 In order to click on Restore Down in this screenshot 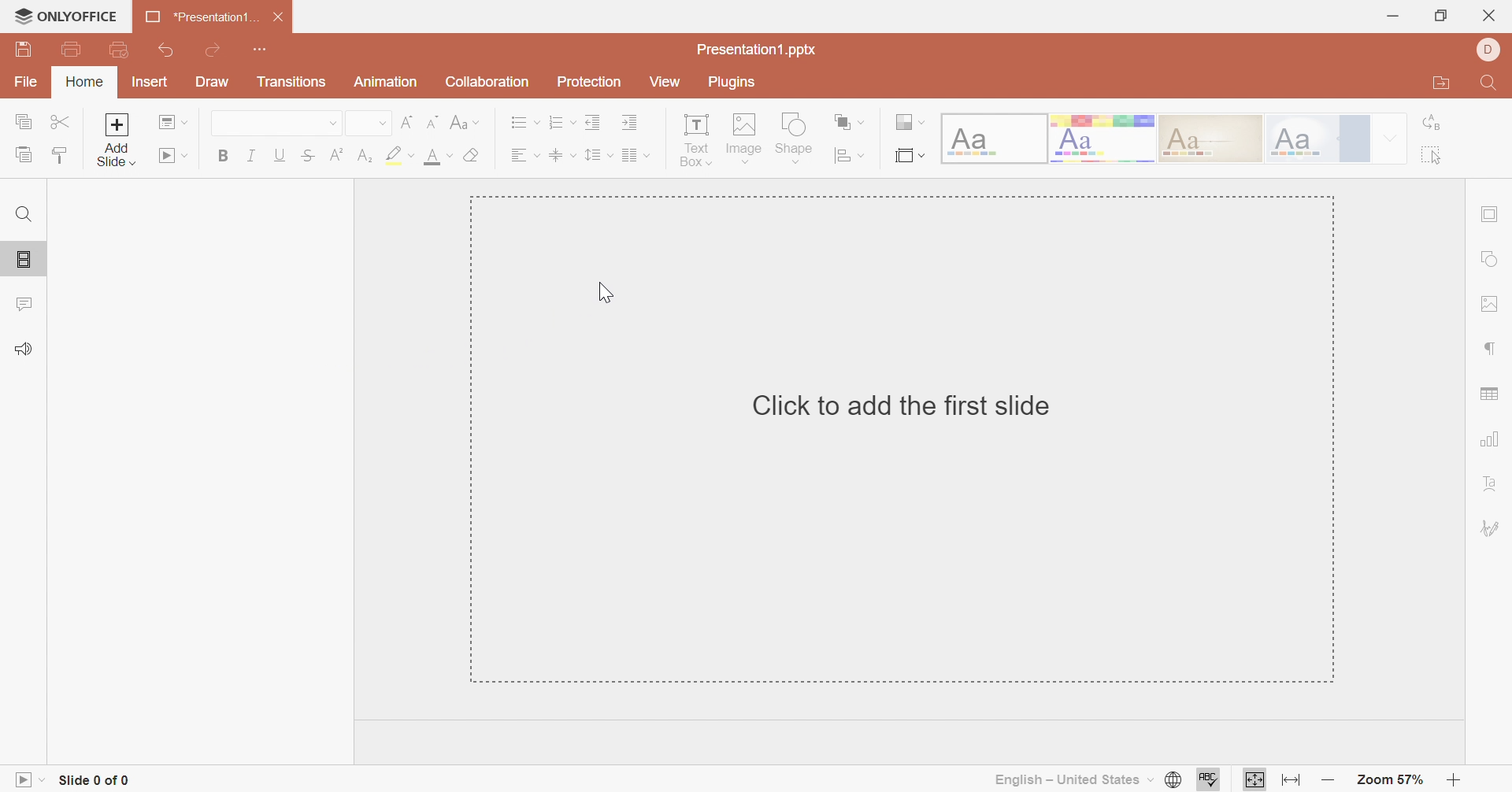, I will do `click(1444, 15)`.